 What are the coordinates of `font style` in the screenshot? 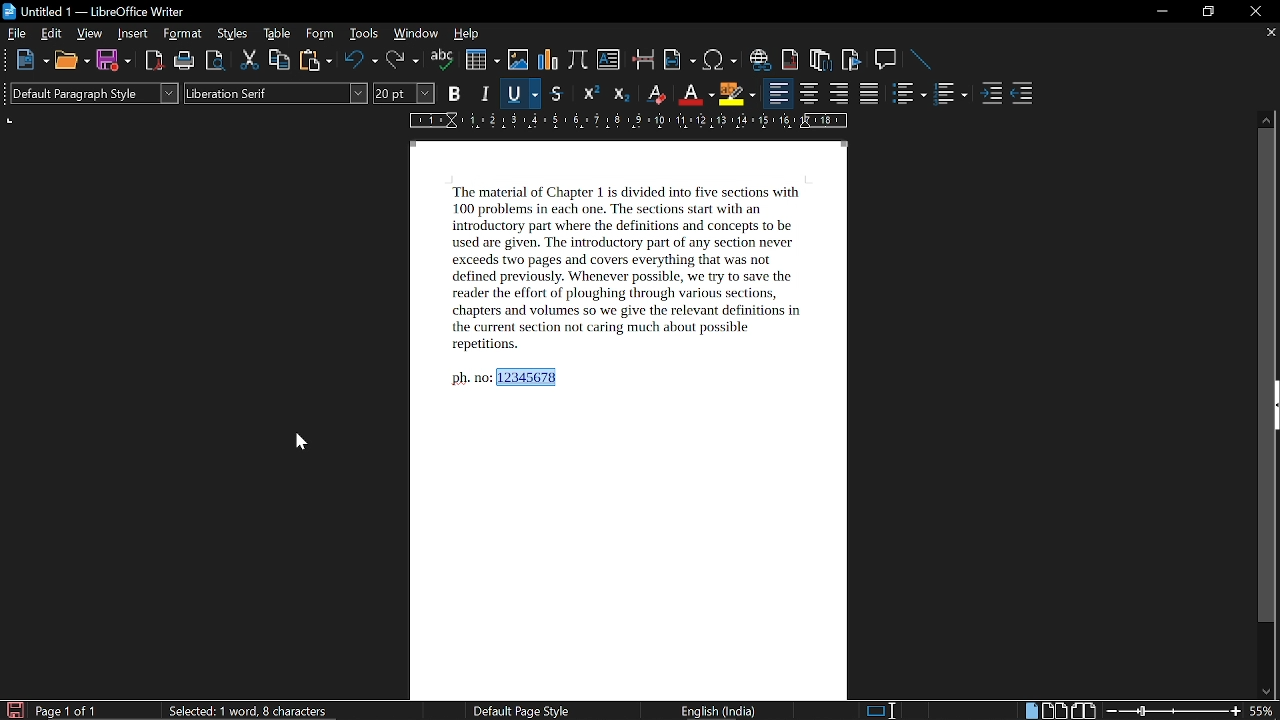 It's located at (276, 93).